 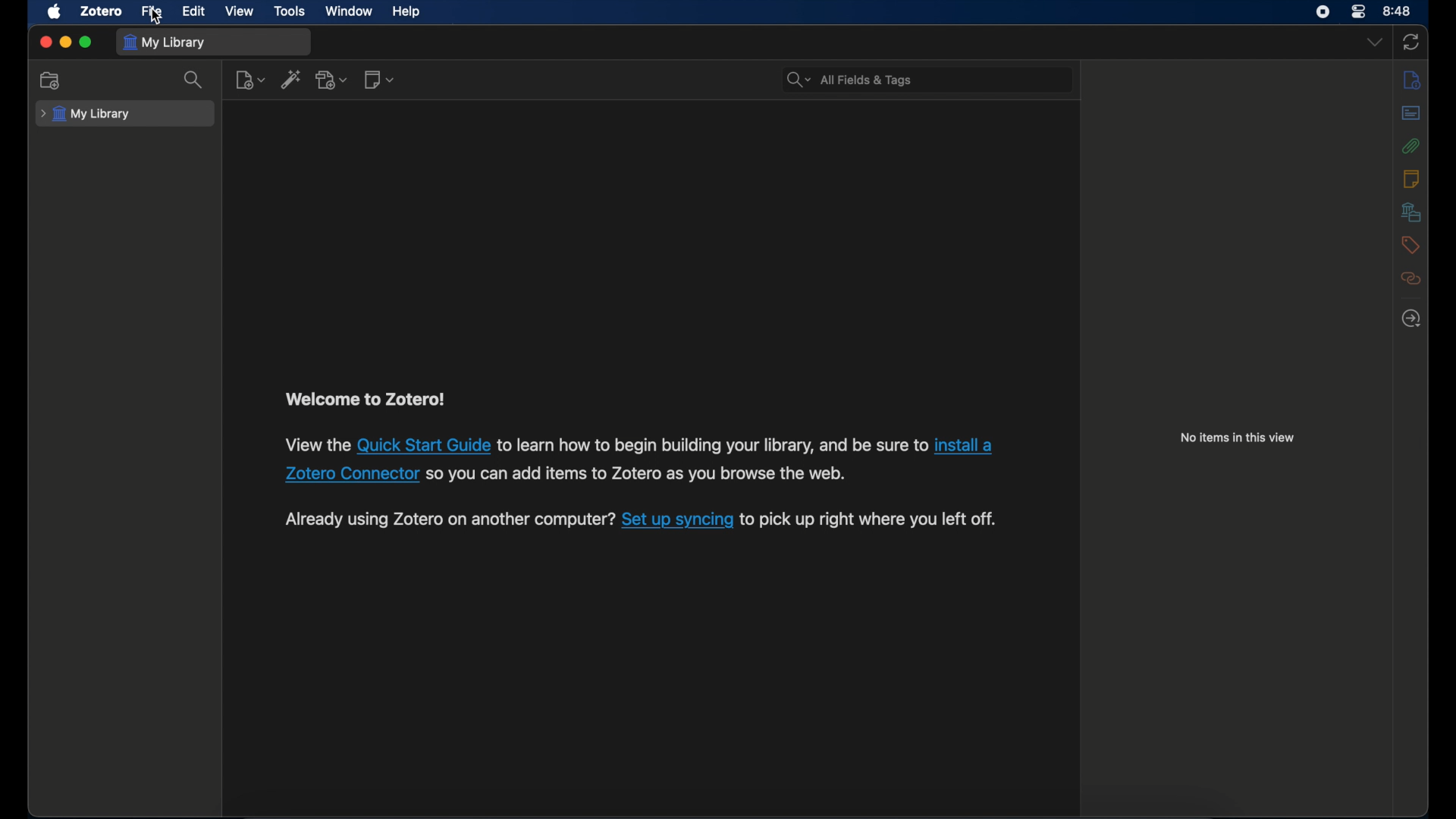 What do you see at coordinates (966, 446) in the screenshot?
I see `Zotero connector link` at bounding box center [966, 446].